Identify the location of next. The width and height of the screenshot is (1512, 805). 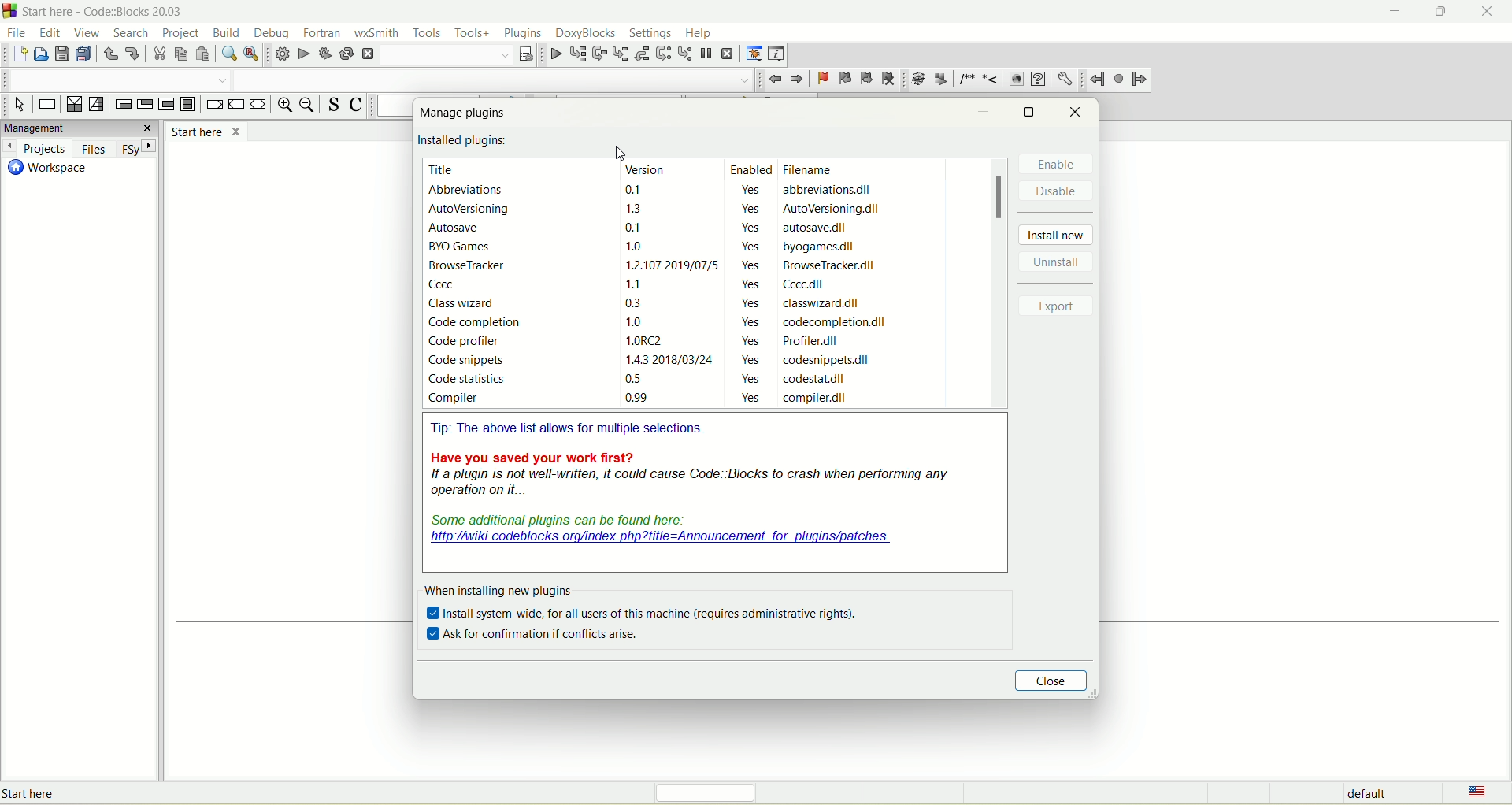
(798, 79).